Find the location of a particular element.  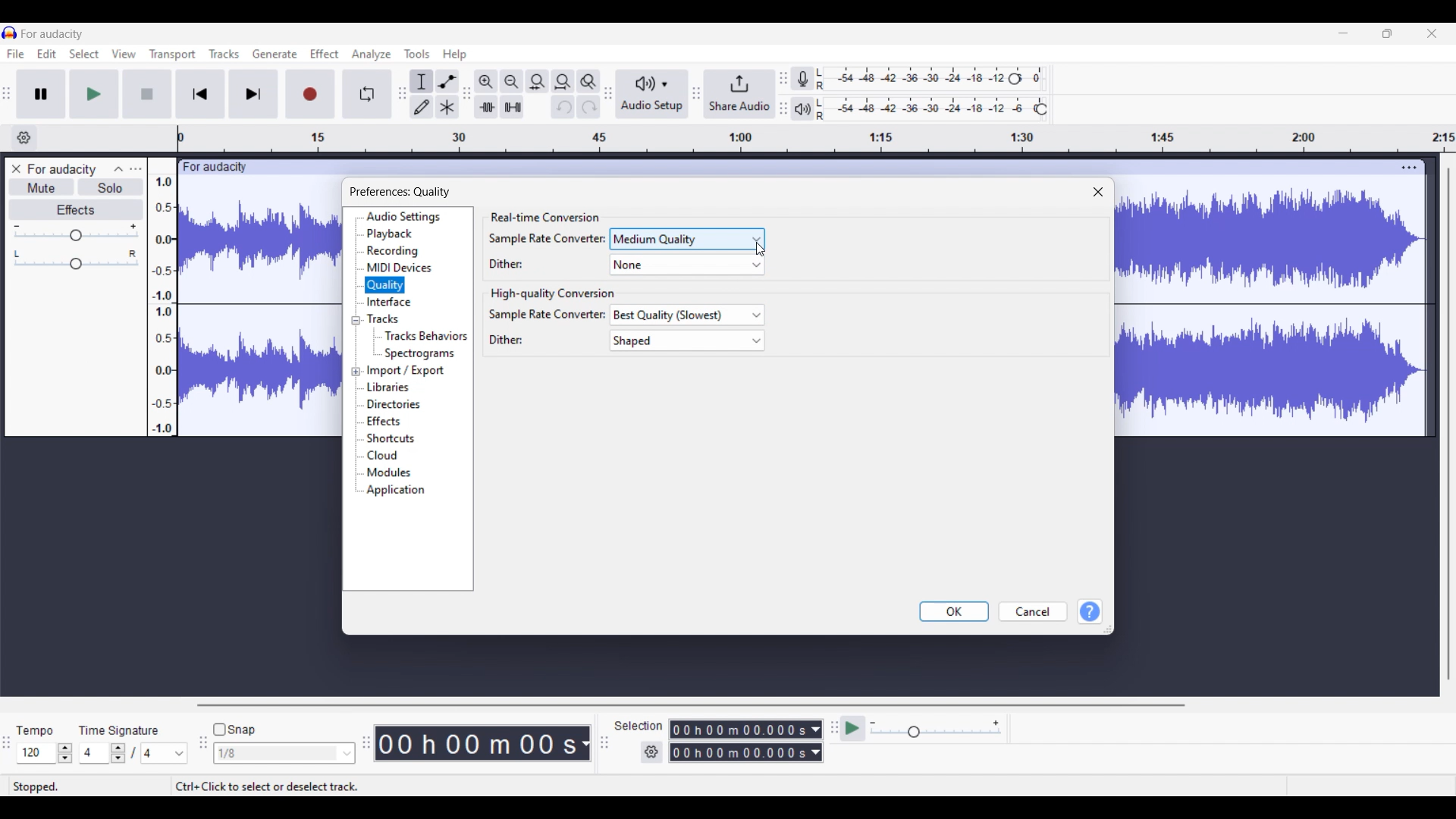

Description of current selection by cursor is located at coordinates (267, 786).